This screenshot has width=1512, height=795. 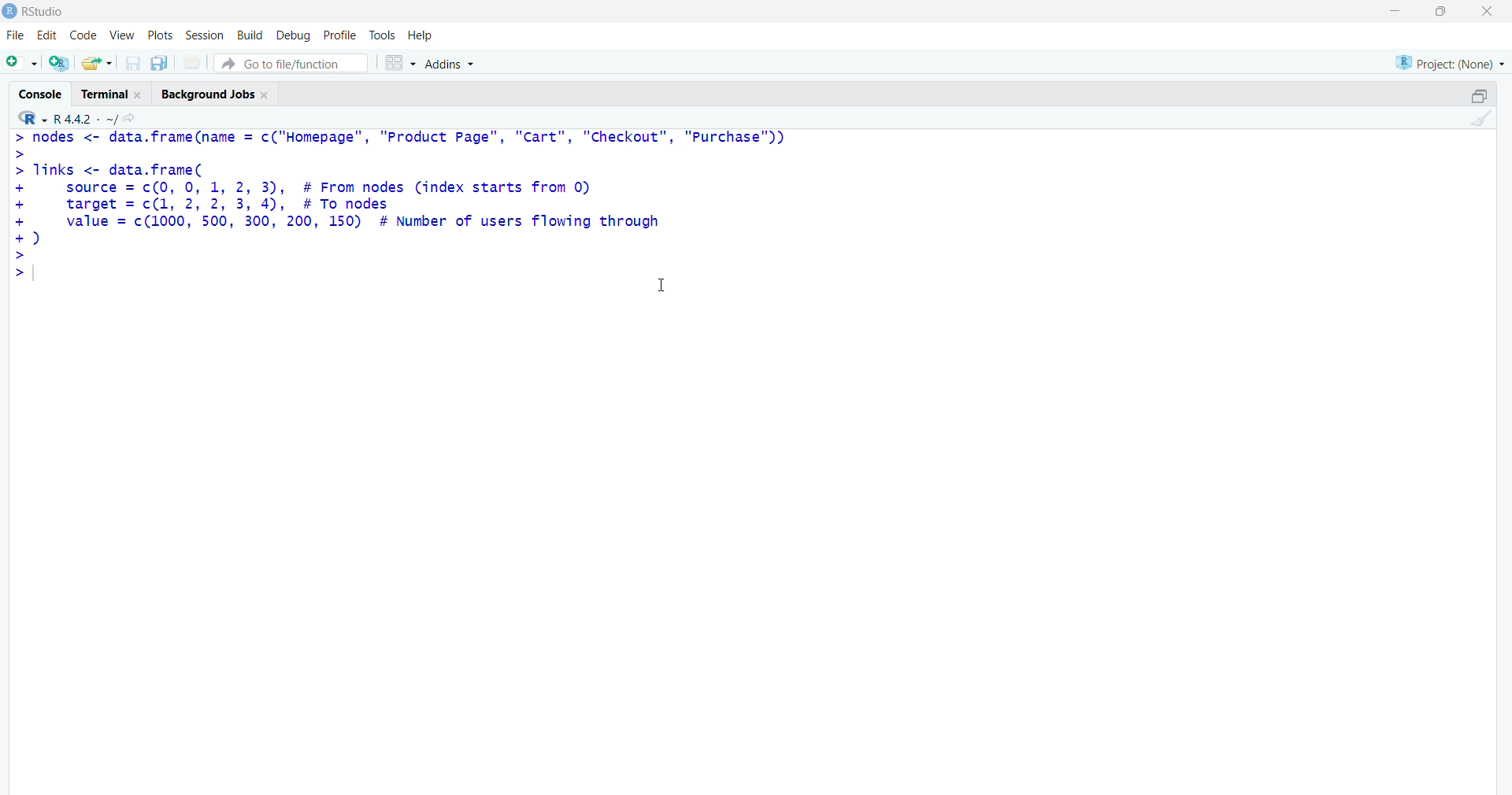 I want to click on add file, so click(x=60, y=65).